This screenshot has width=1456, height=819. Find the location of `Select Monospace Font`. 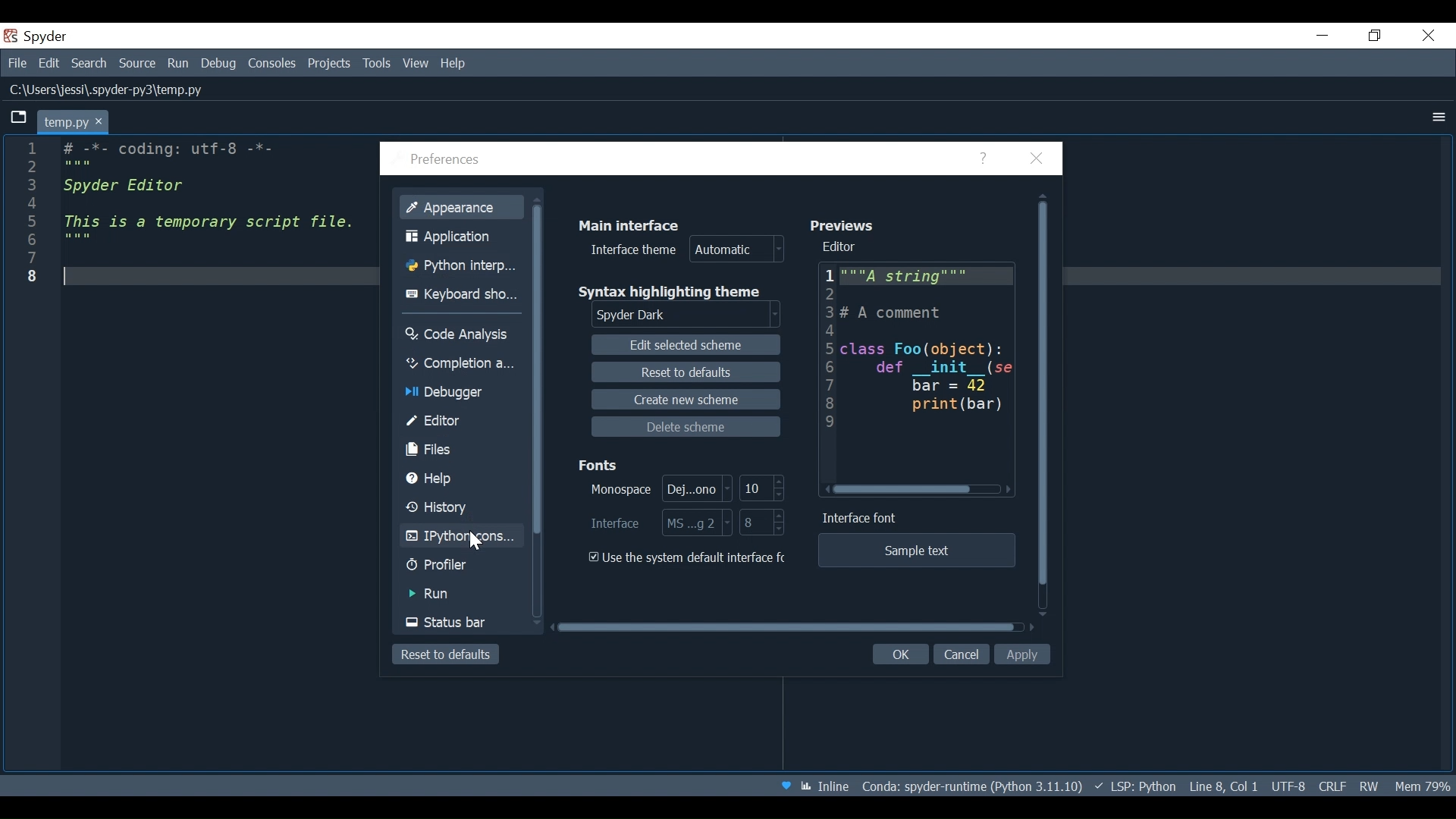

Select Monospace Font is located at coordinates (660, 488).